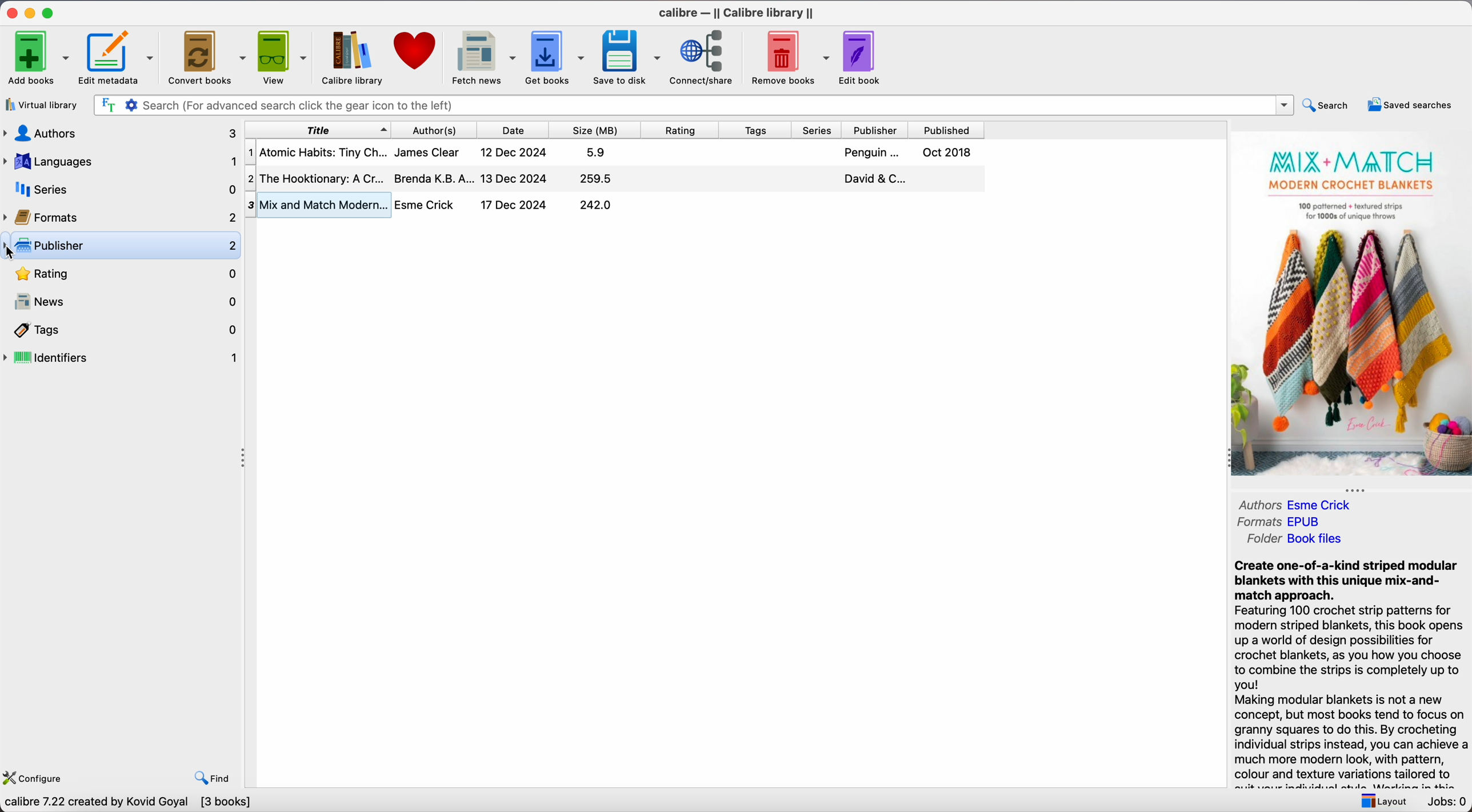 The image size is (1472, 812). What do you see at coordinates (119, 189) in the screenshot?
I see `series` at bounding box center [119, 189].